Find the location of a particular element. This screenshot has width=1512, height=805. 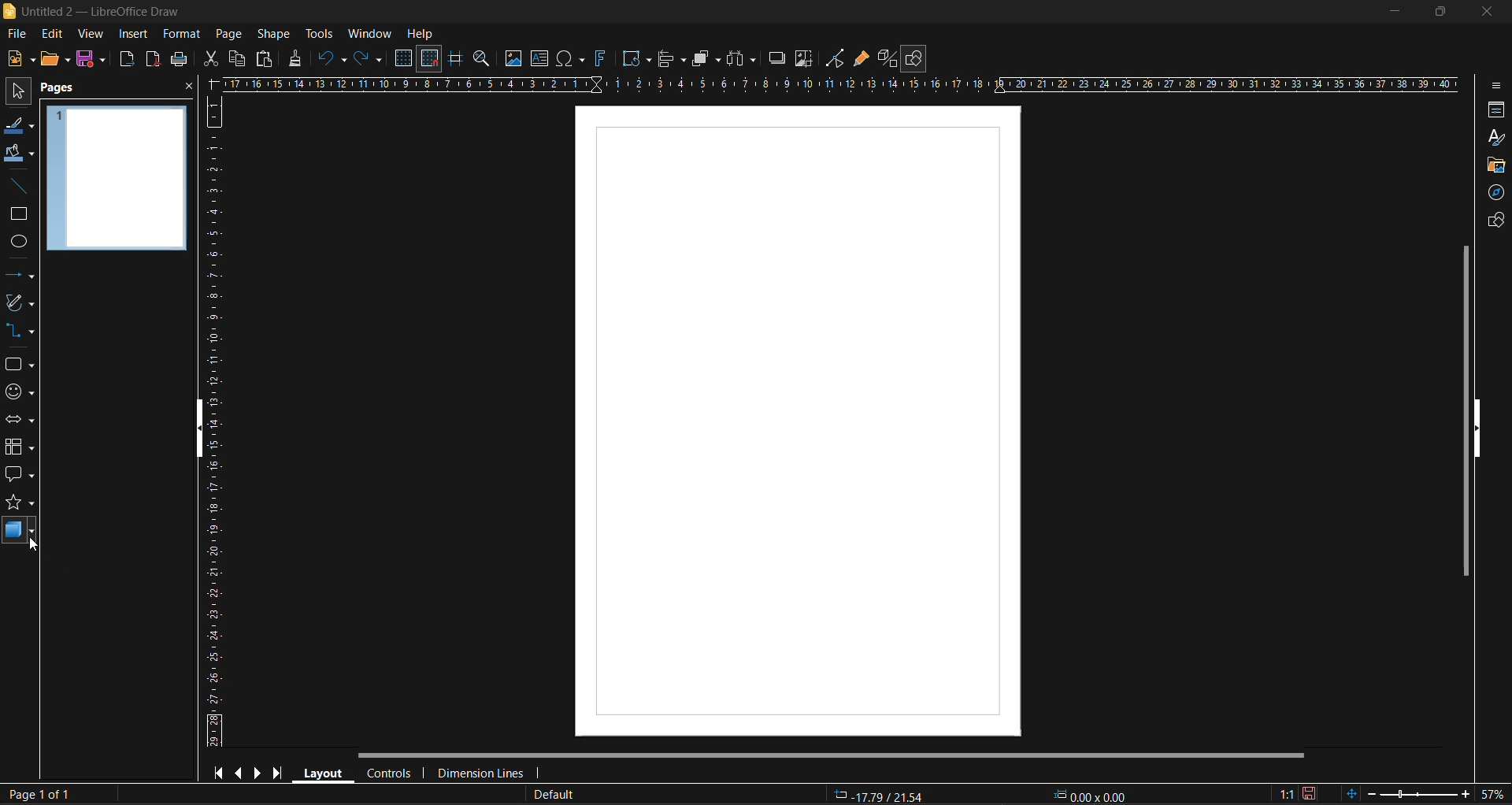

print is located at coordinates (179, 61).